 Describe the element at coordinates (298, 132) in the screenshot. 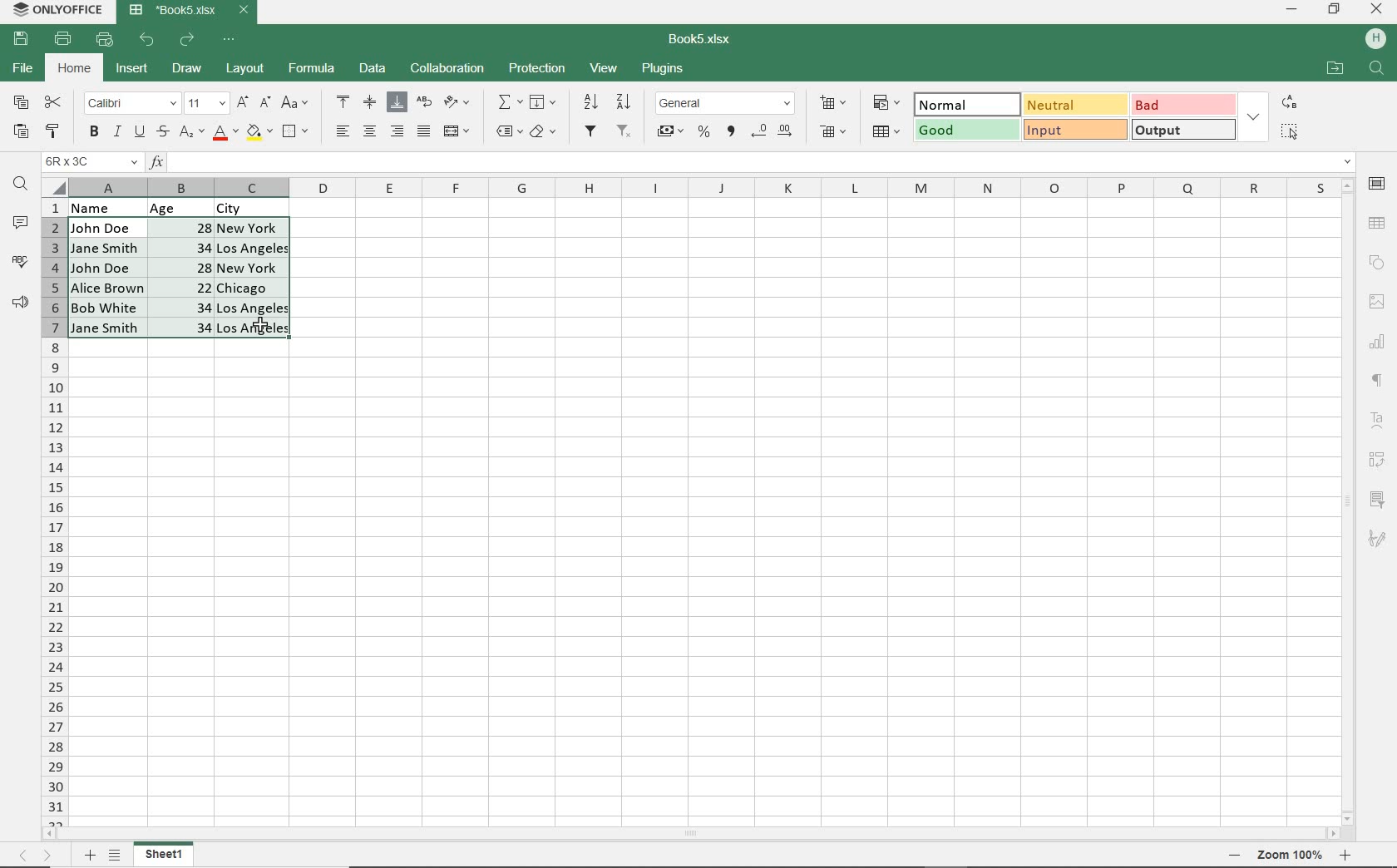

I see `BORDERS` at that location.